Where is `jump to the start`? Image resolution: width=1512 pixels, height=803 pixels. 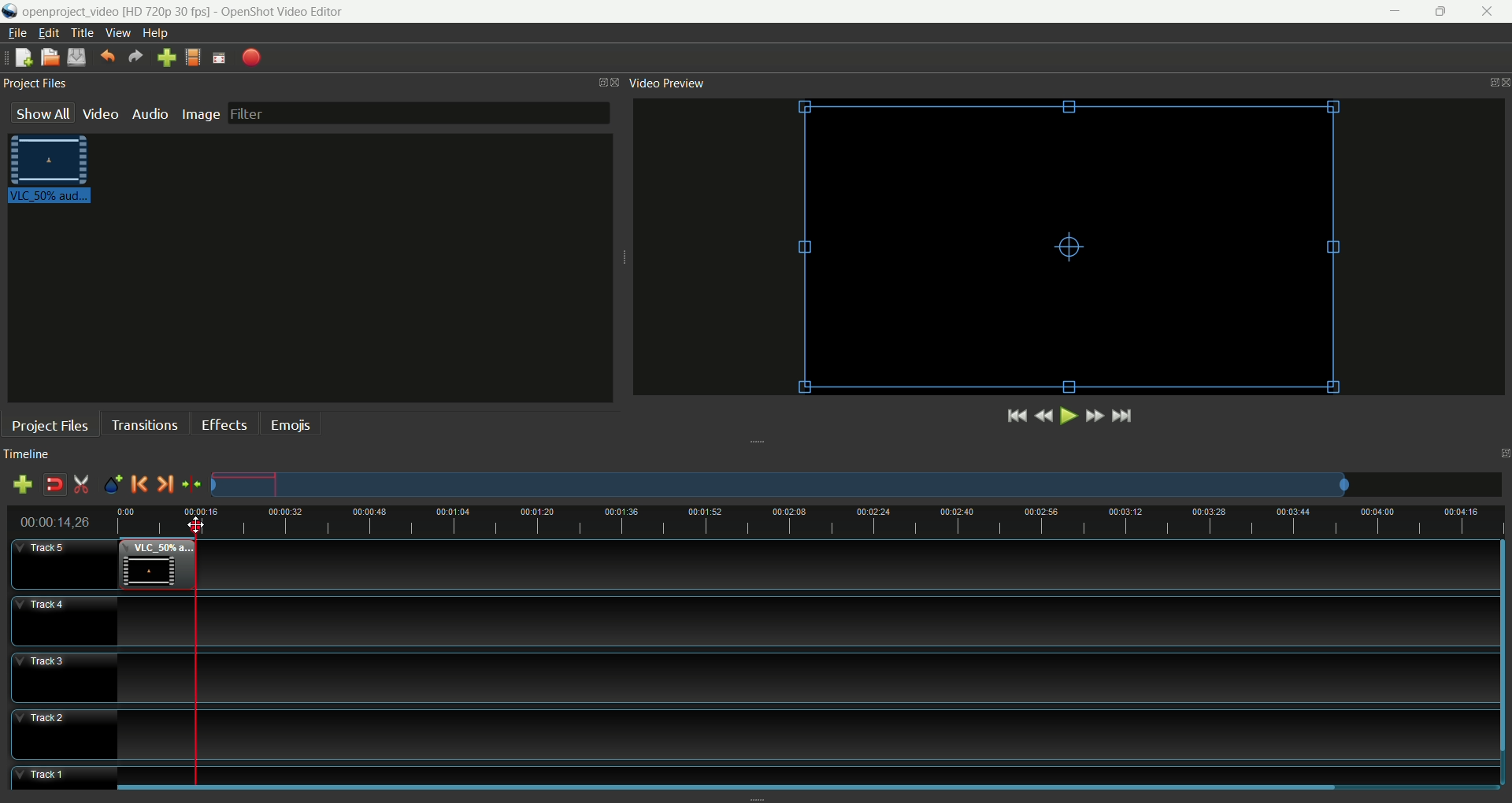
jump to the start is located at coordinates (1017, 415).